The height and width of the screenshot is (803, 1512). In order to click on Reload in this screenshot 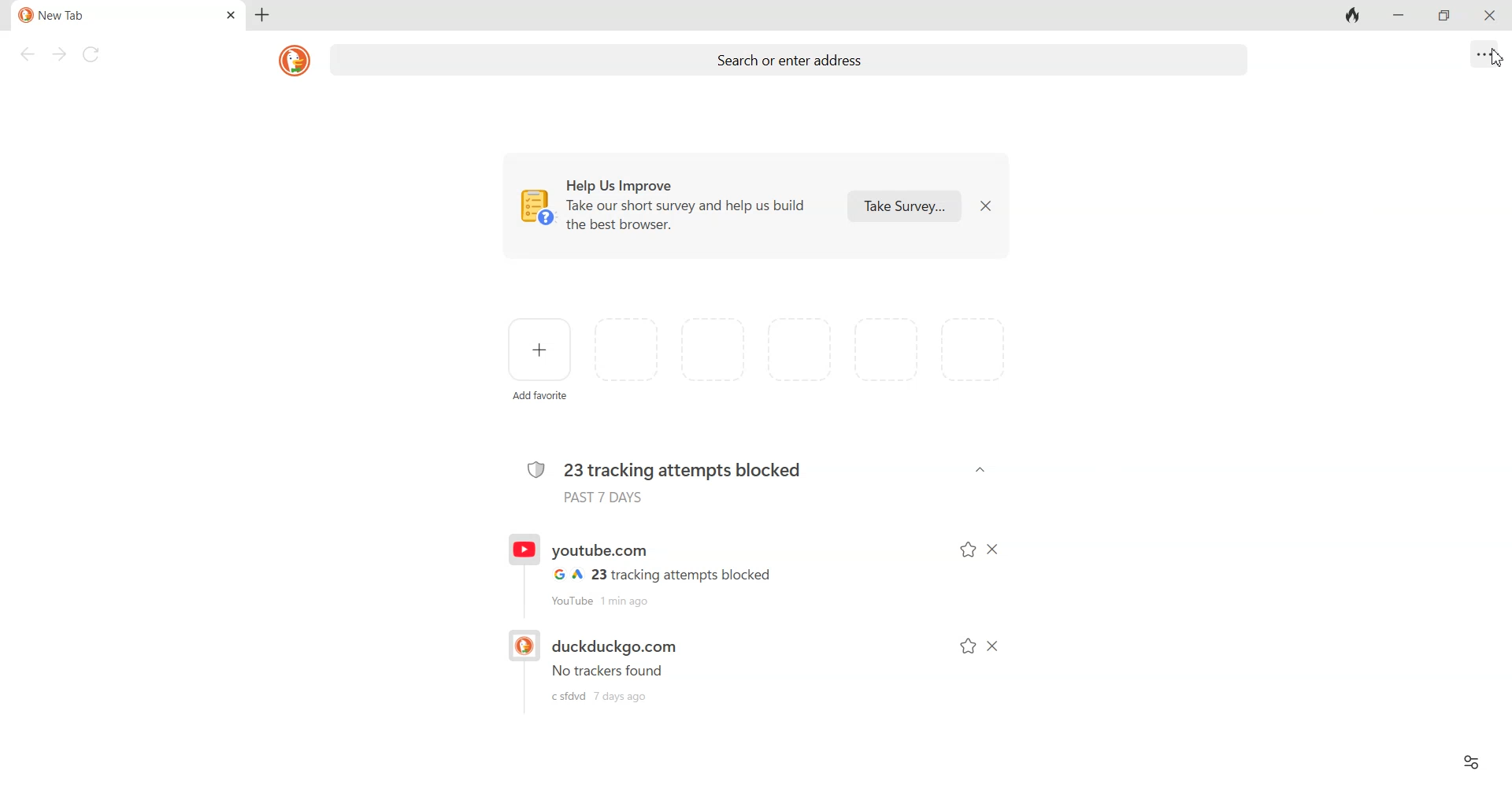, I will do `click(93, 54)`.